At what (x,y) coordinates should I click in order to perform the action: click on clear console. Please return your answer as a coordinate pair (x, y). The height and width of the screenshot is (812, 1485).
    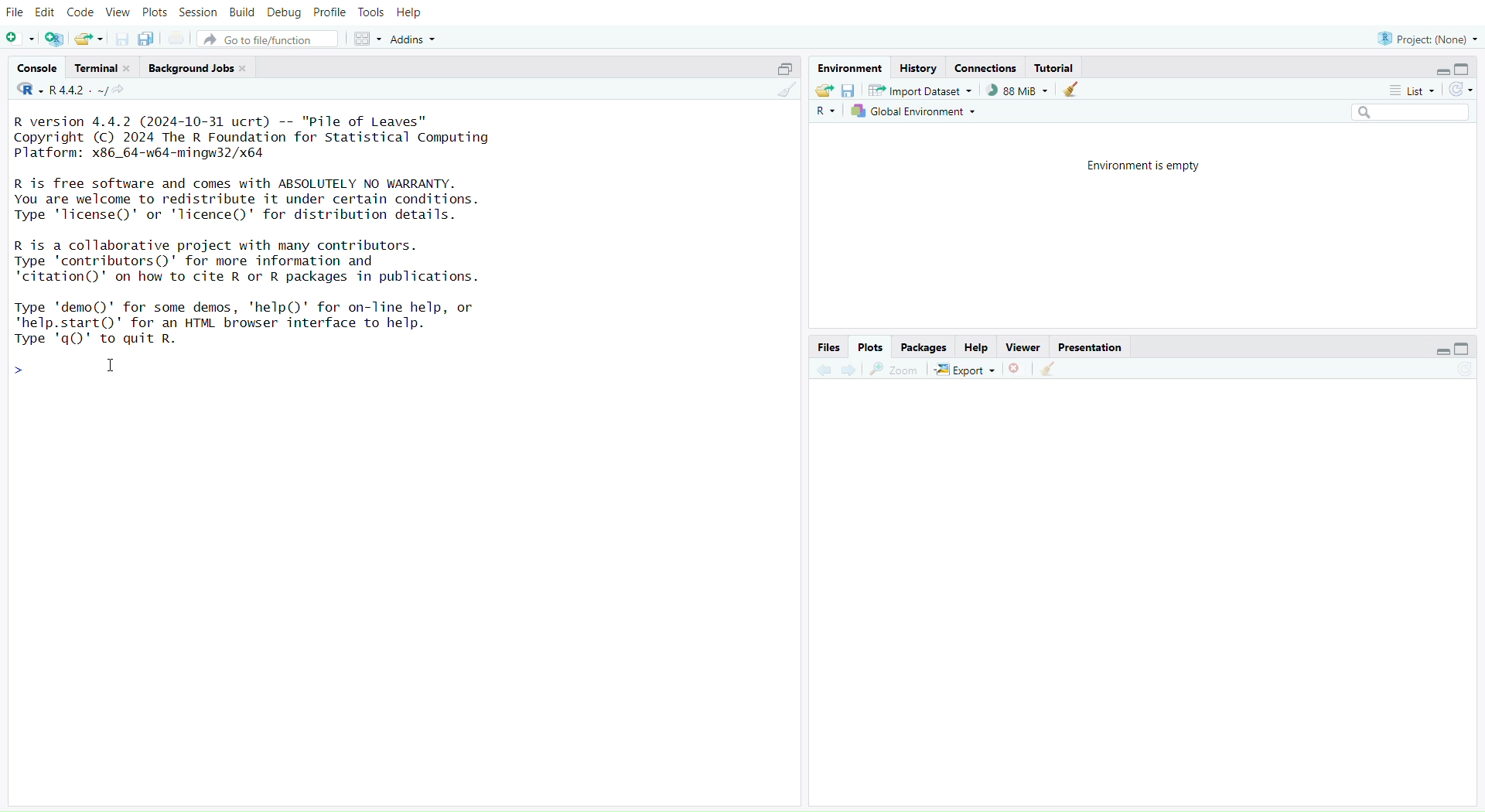
    Looking at the image, I should click on (781, 90).